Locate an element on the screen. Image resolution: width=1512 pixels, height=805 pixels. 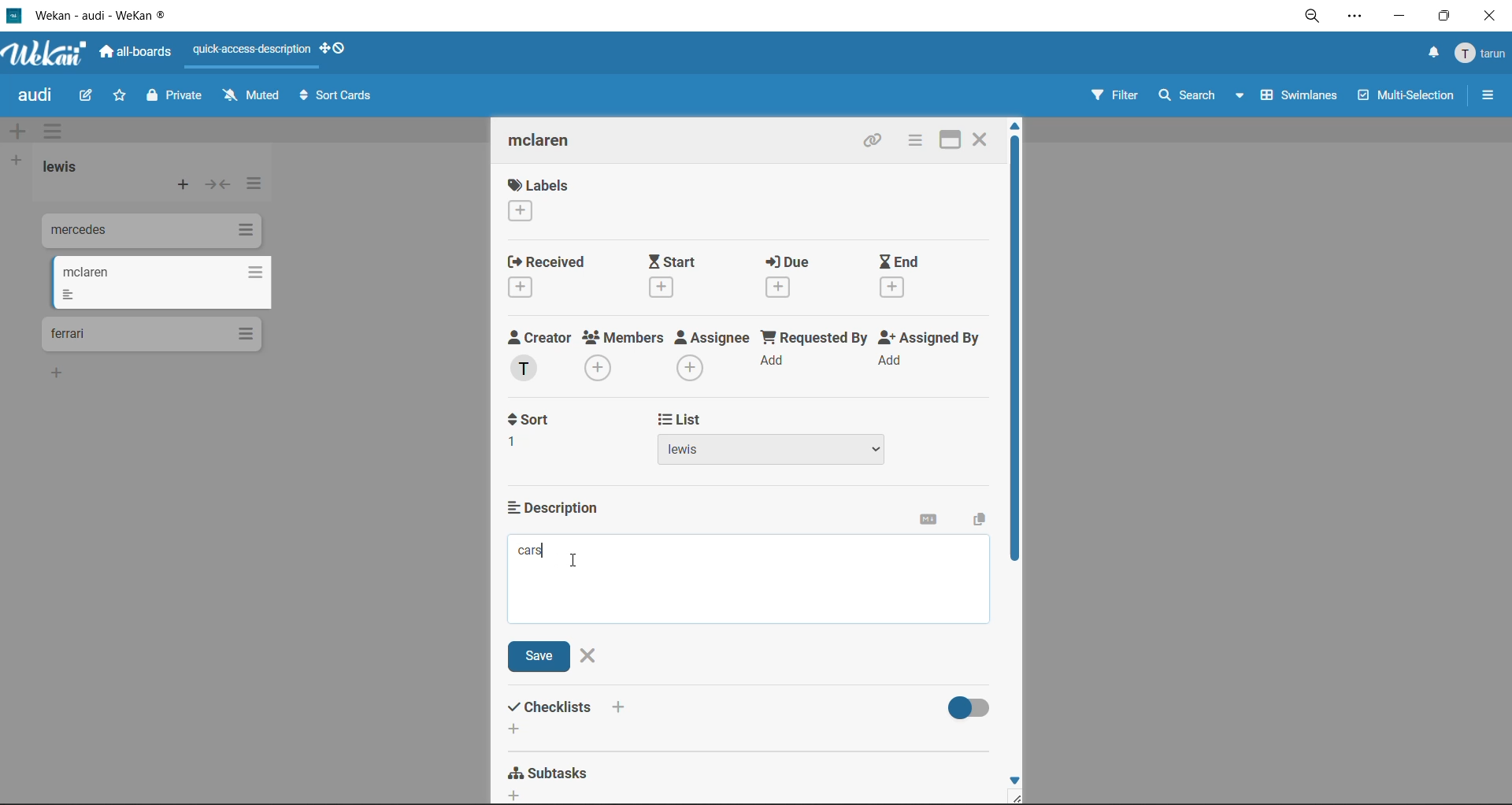
maximize is located at coordinates (954, 138).